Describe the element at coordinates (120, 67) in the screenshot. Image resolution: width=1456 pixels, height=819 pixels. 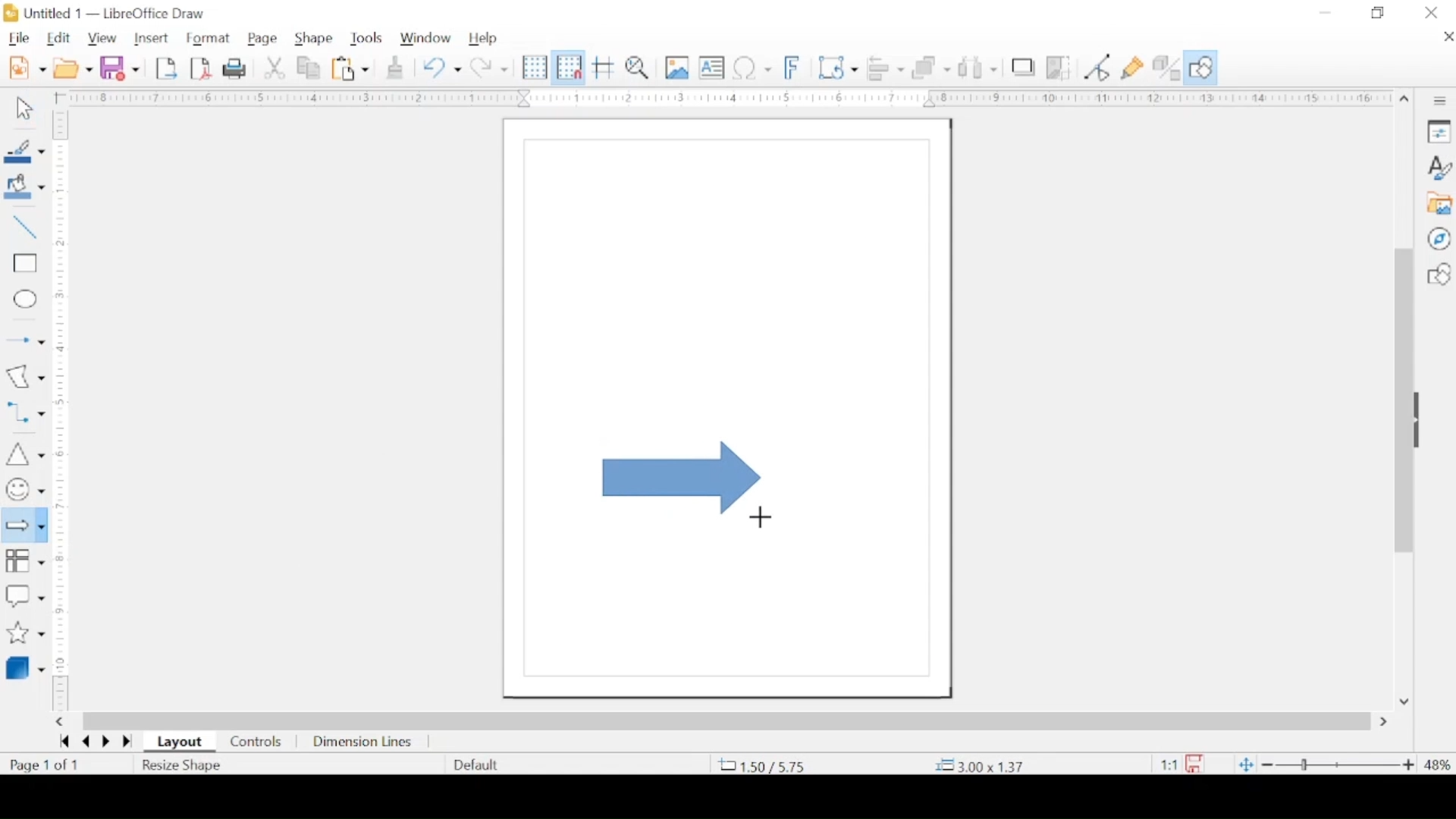
I see `save` at that location.